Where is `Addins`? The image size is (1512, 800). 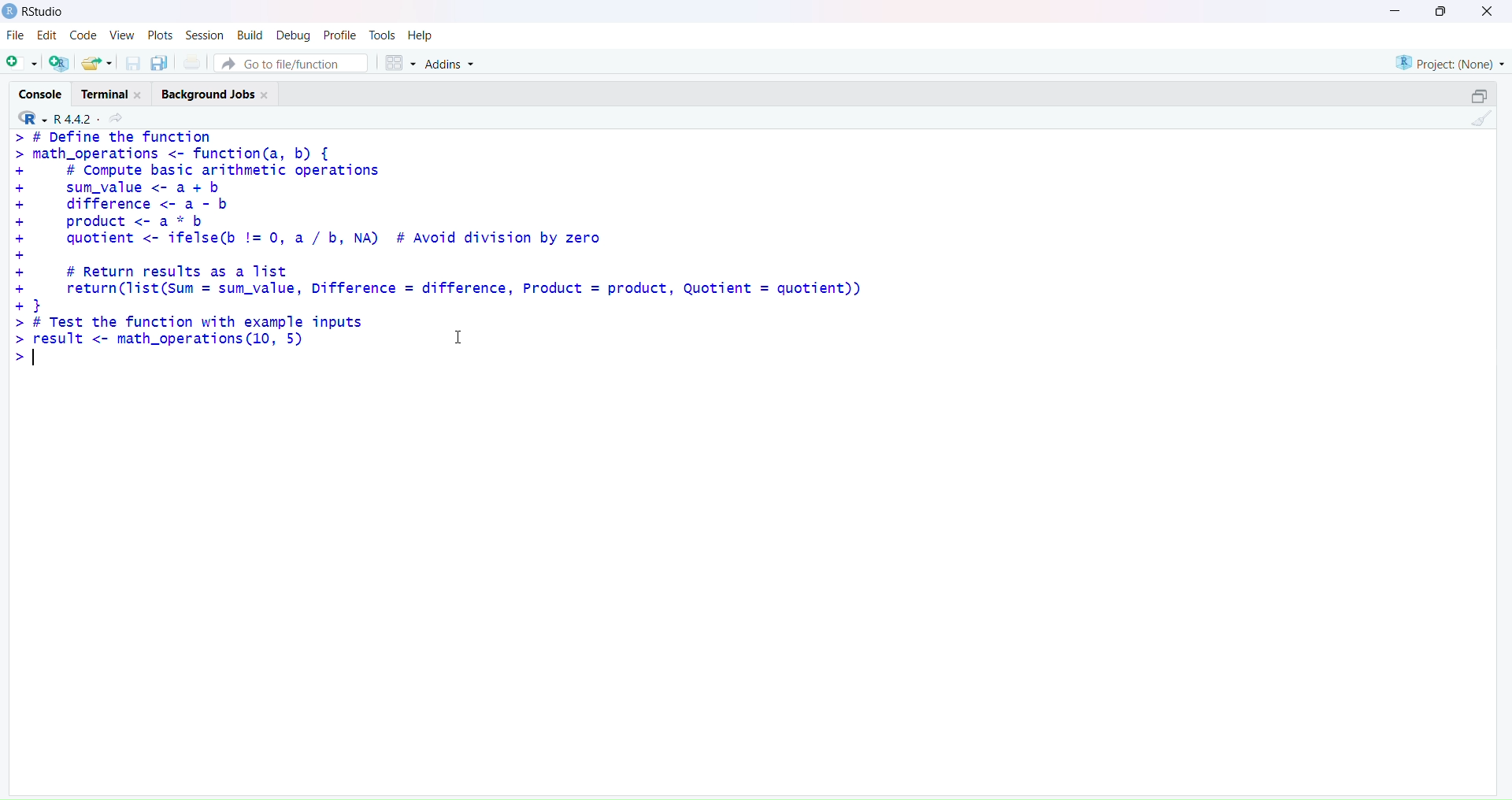 Addins is located at coordinates (451, 65).